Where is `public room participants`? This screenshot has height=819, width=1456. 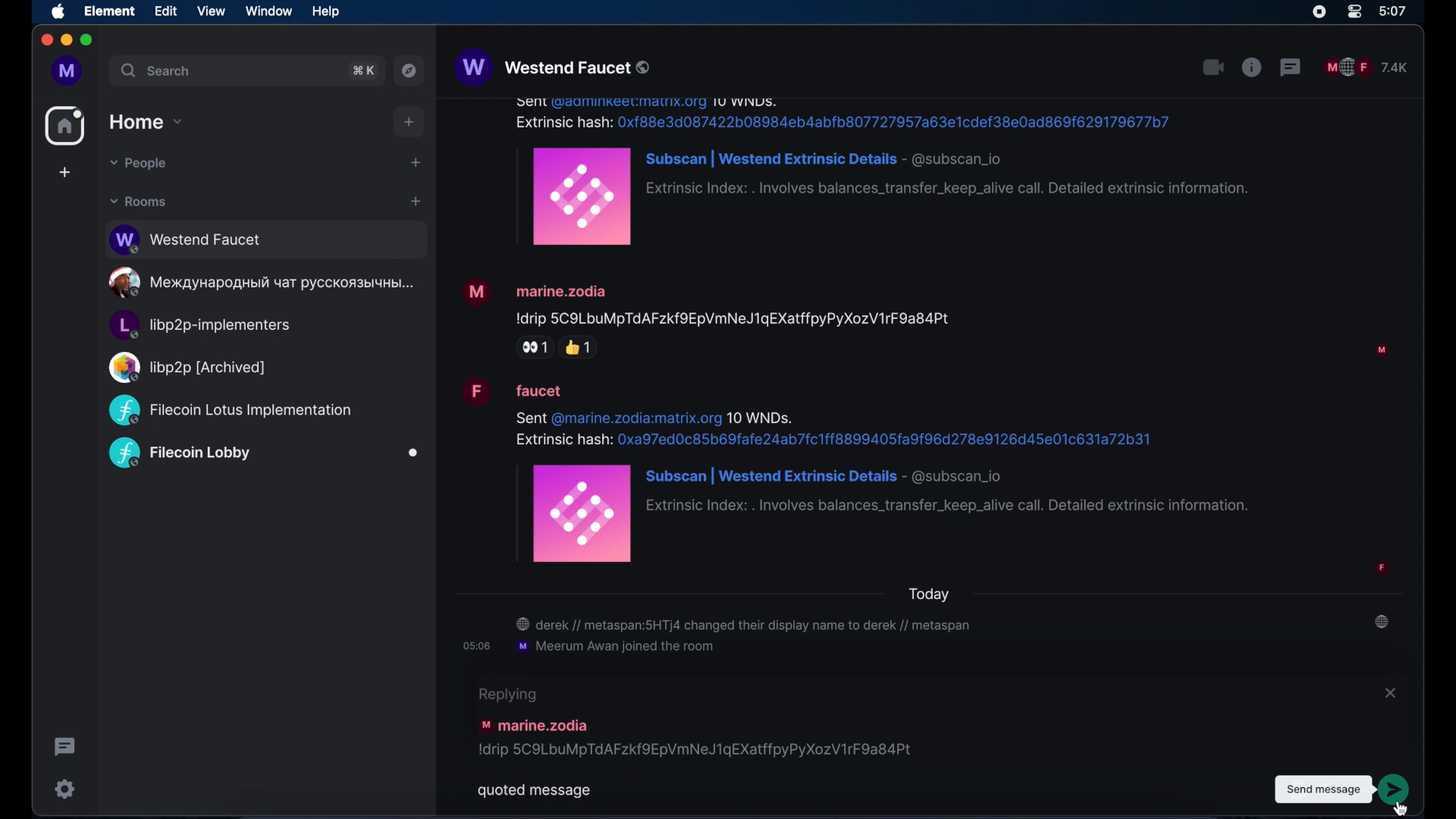 public room participants is located at coordinates (1367, 67).